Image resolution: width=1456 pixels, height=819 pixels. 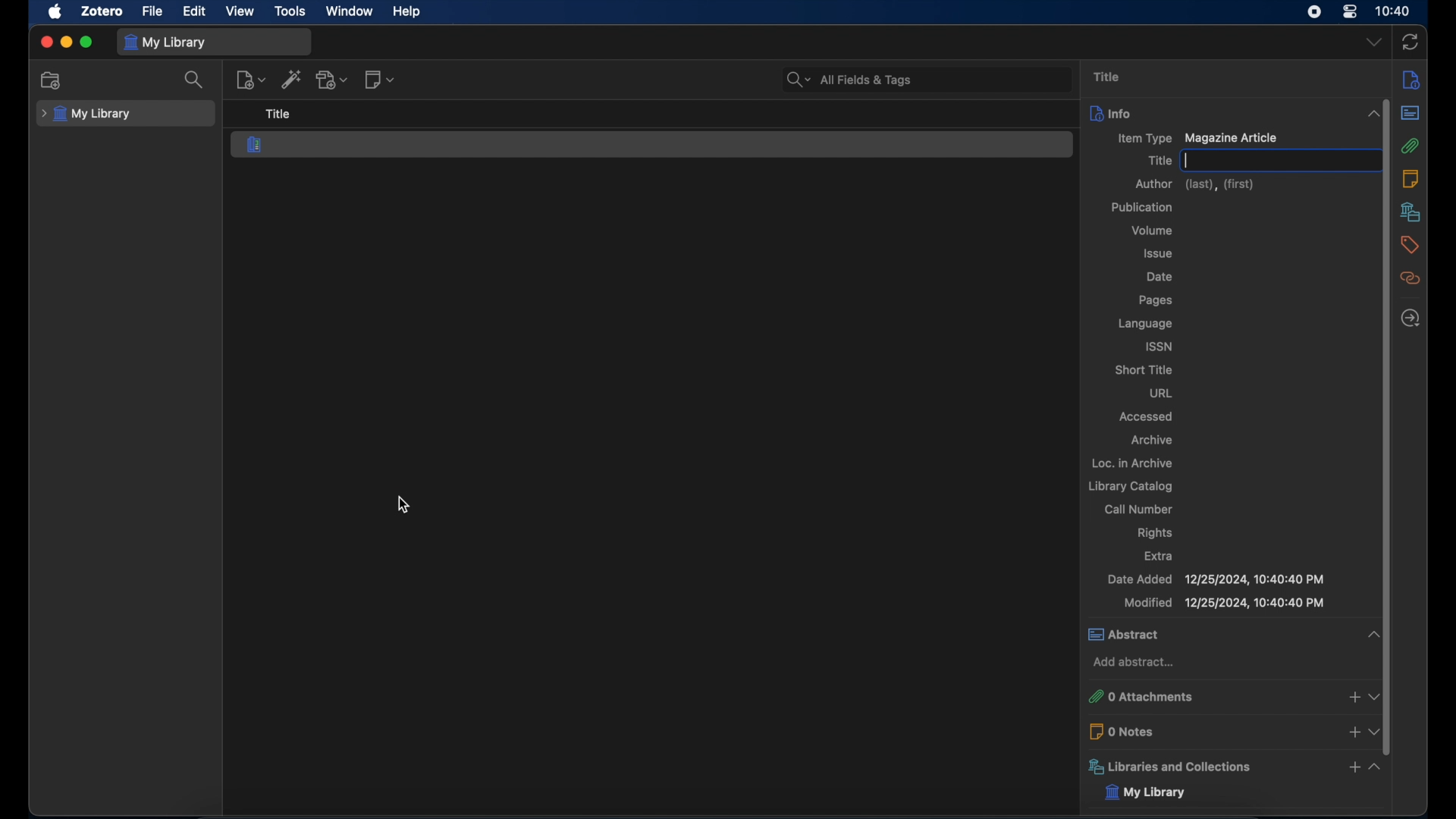 What do you see at coordinates (65, 42) in the screenshot?
I see `minimize` at bounding box center [65, 42].